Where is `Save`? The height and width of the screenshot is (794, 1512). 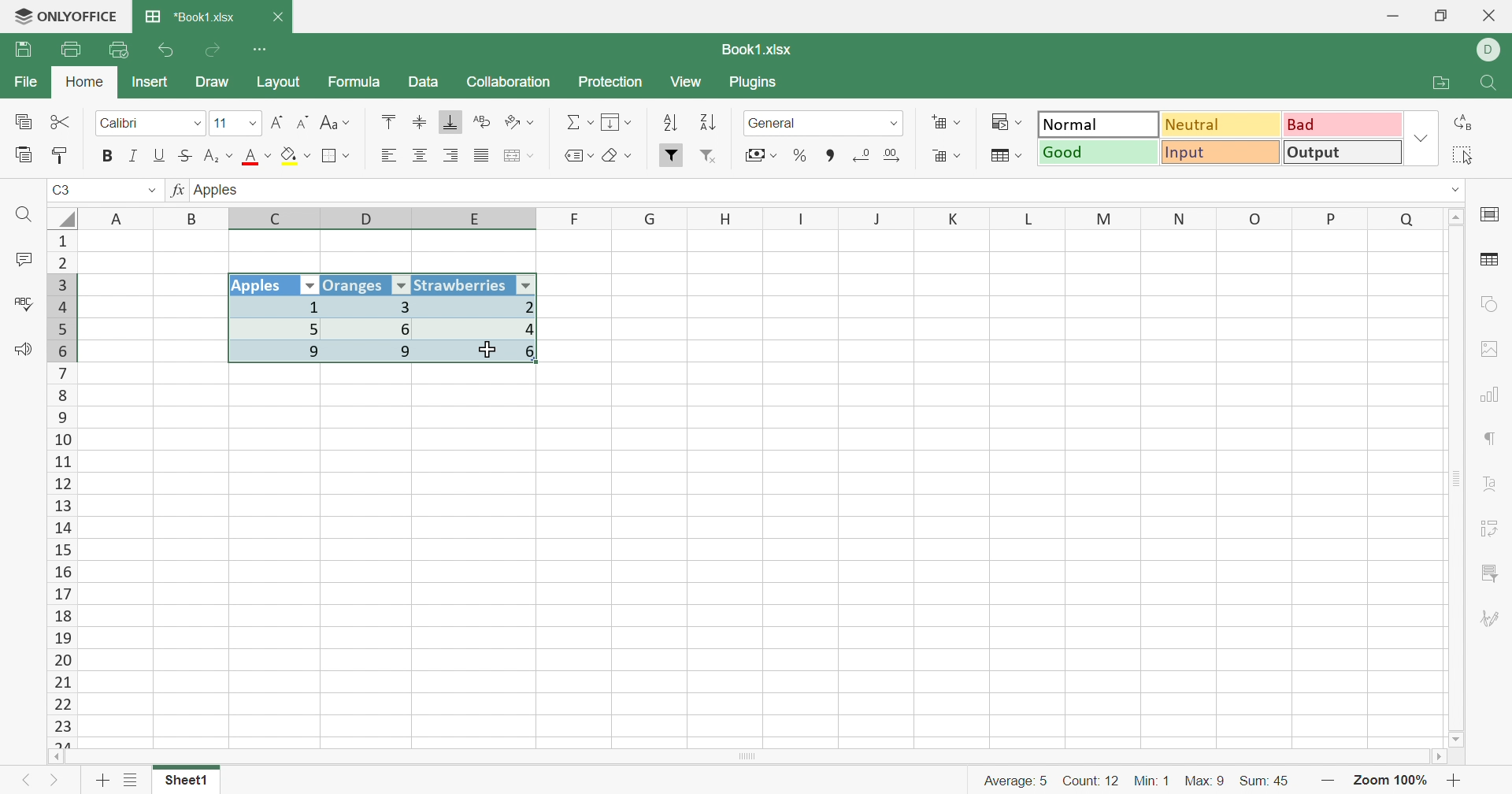 Save is located at coordinates (26, 50).